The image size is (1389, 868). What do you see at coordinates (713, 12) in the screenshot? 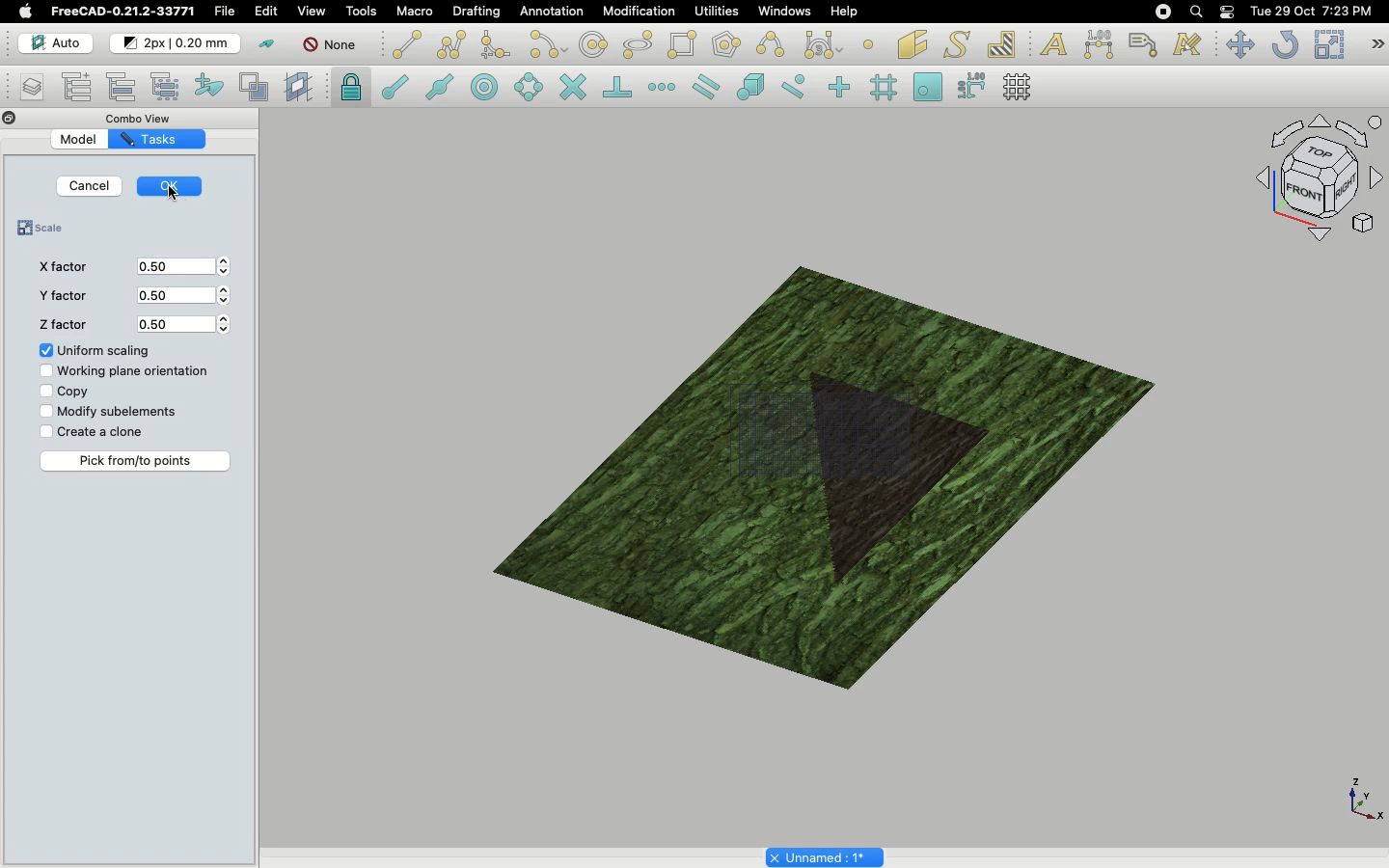
I see `Utilities` at bounding box center [713, 12].